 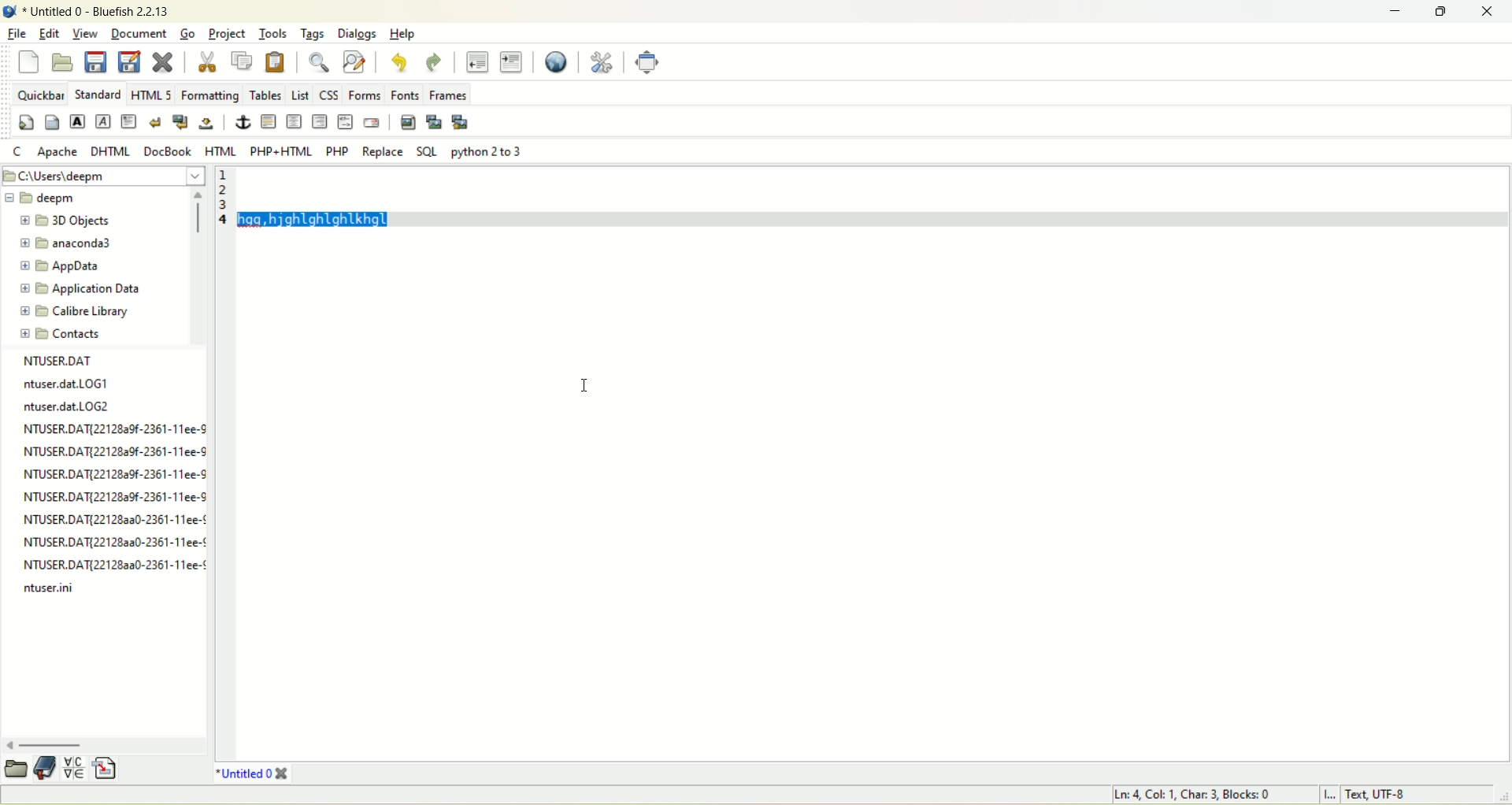 What do you see at coordinates (1198, 796) in the screenshot?
I see `cursor position` at bounding box center [1198, 796].